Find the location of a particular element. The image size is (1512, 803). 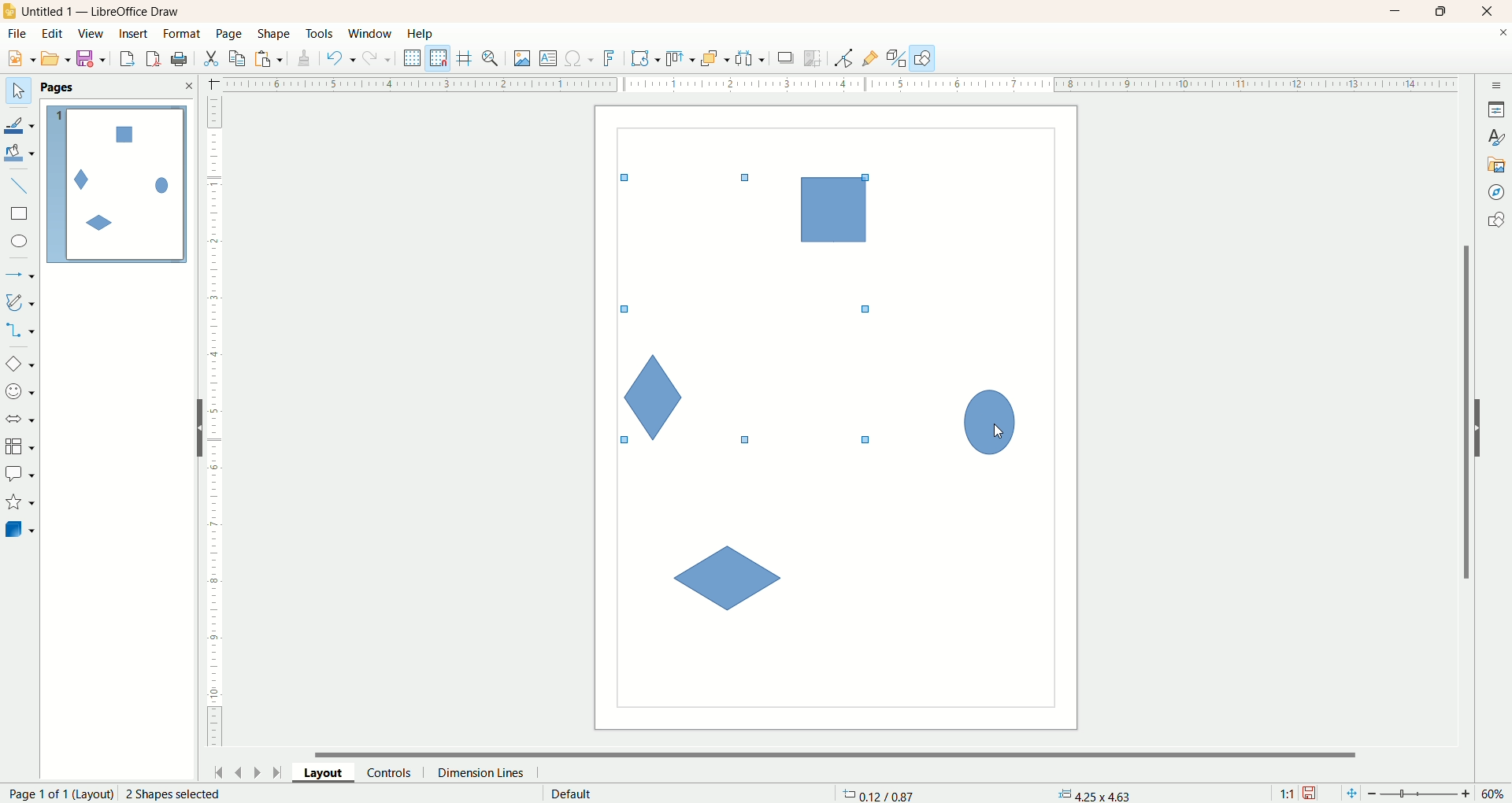

fontwork text is located at coordinates (612, 59).